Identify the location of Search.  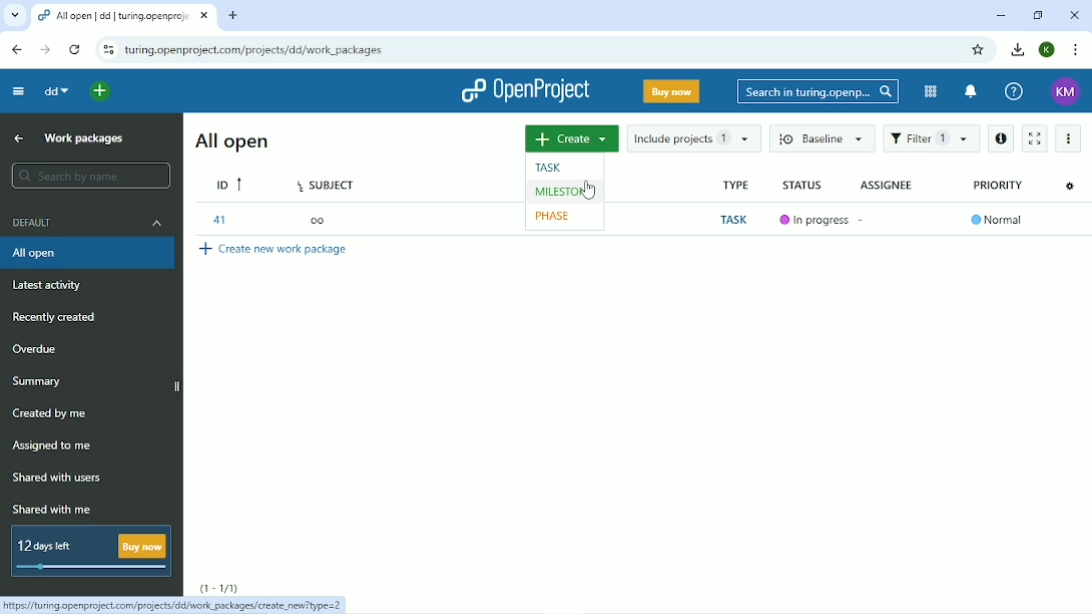
(818, 93).